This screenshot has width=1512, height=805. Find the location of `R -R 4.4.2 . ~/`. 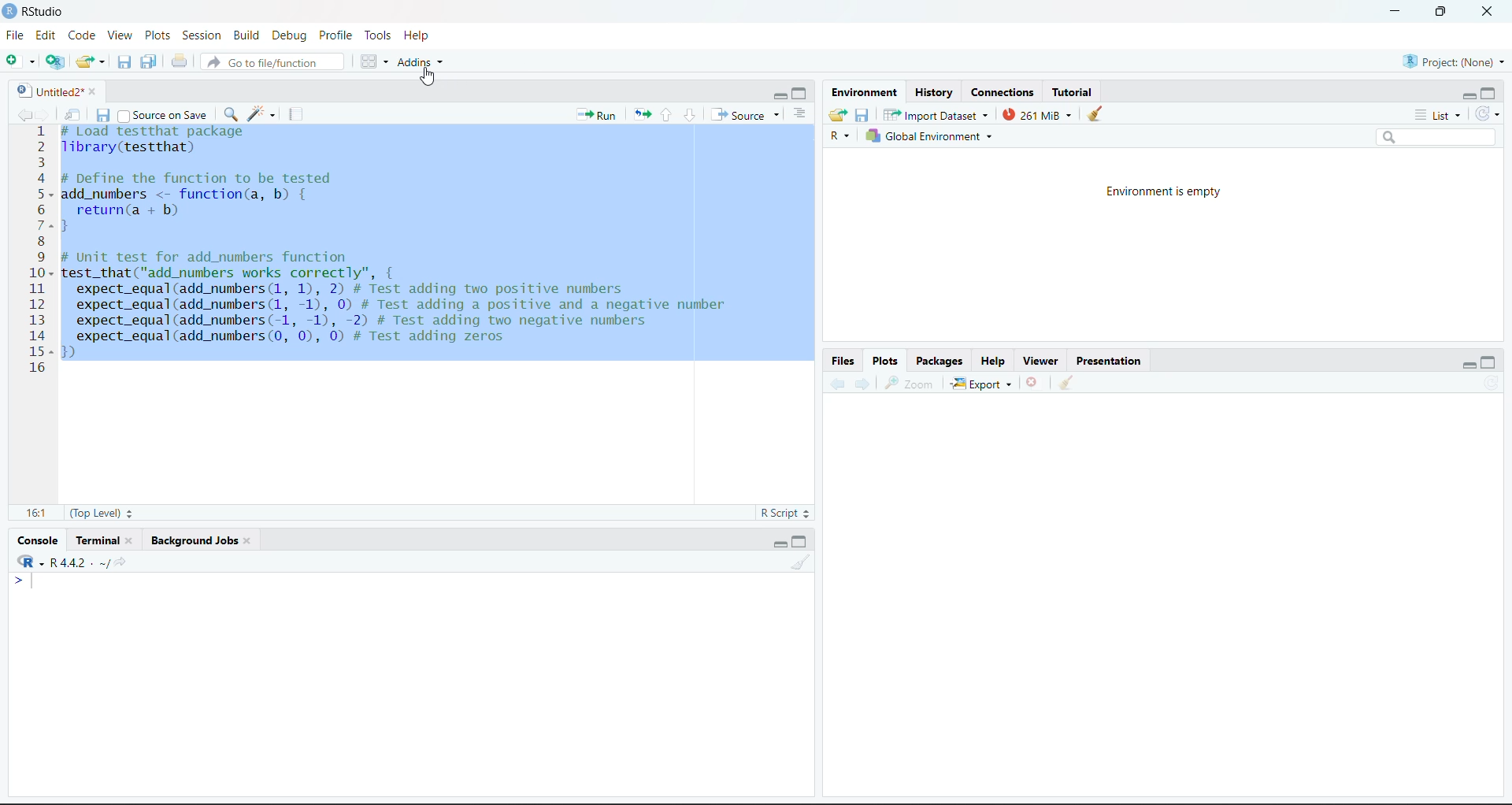

R -R 4.4.2 . ~/ is located at coordinates (76, 562).